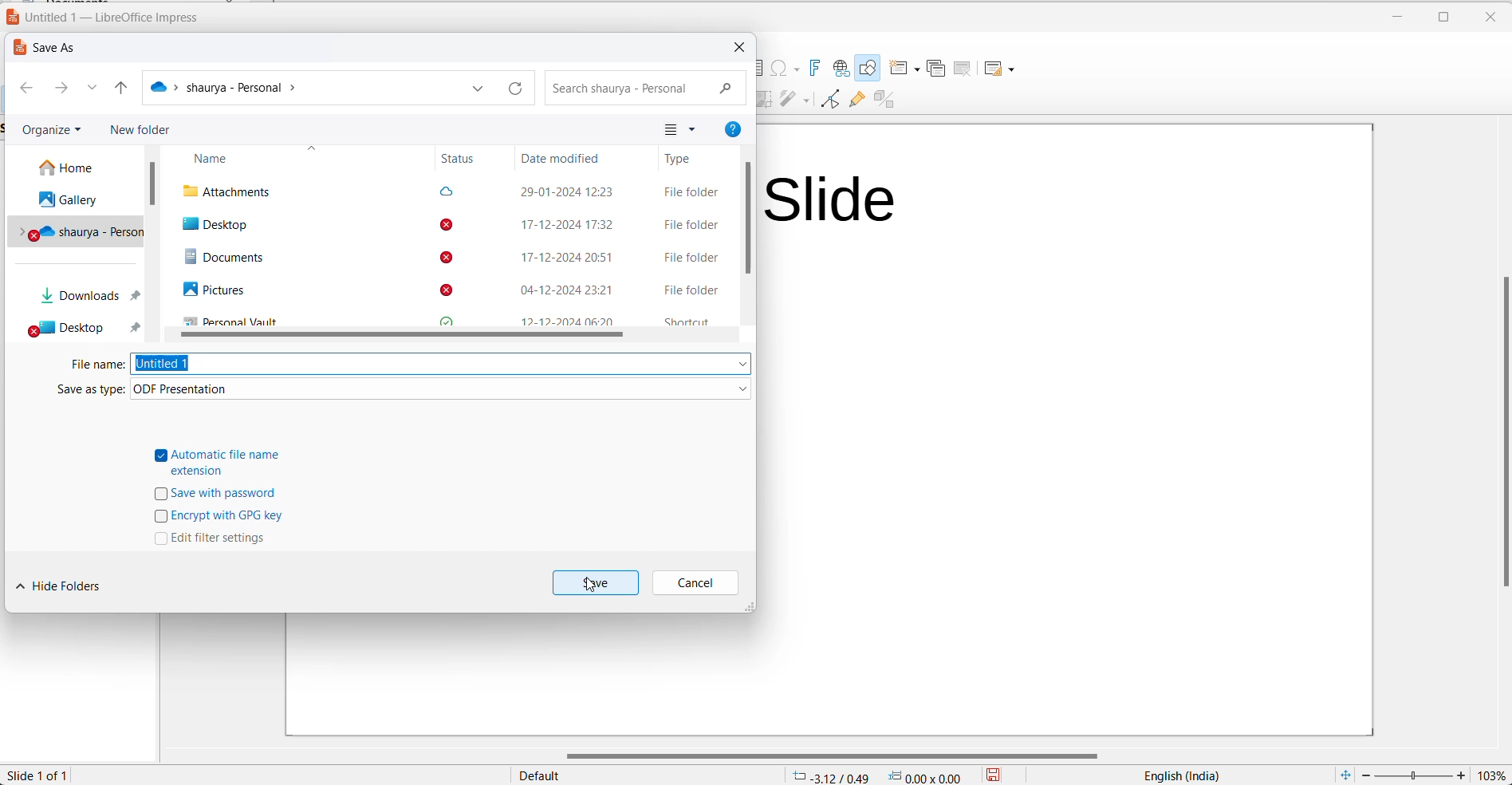 This screenshot has width=1512, height=785. What do you see at coordinates (140, 131) in the screenshot?
I see `new folder` at bounding box center [140, 131].